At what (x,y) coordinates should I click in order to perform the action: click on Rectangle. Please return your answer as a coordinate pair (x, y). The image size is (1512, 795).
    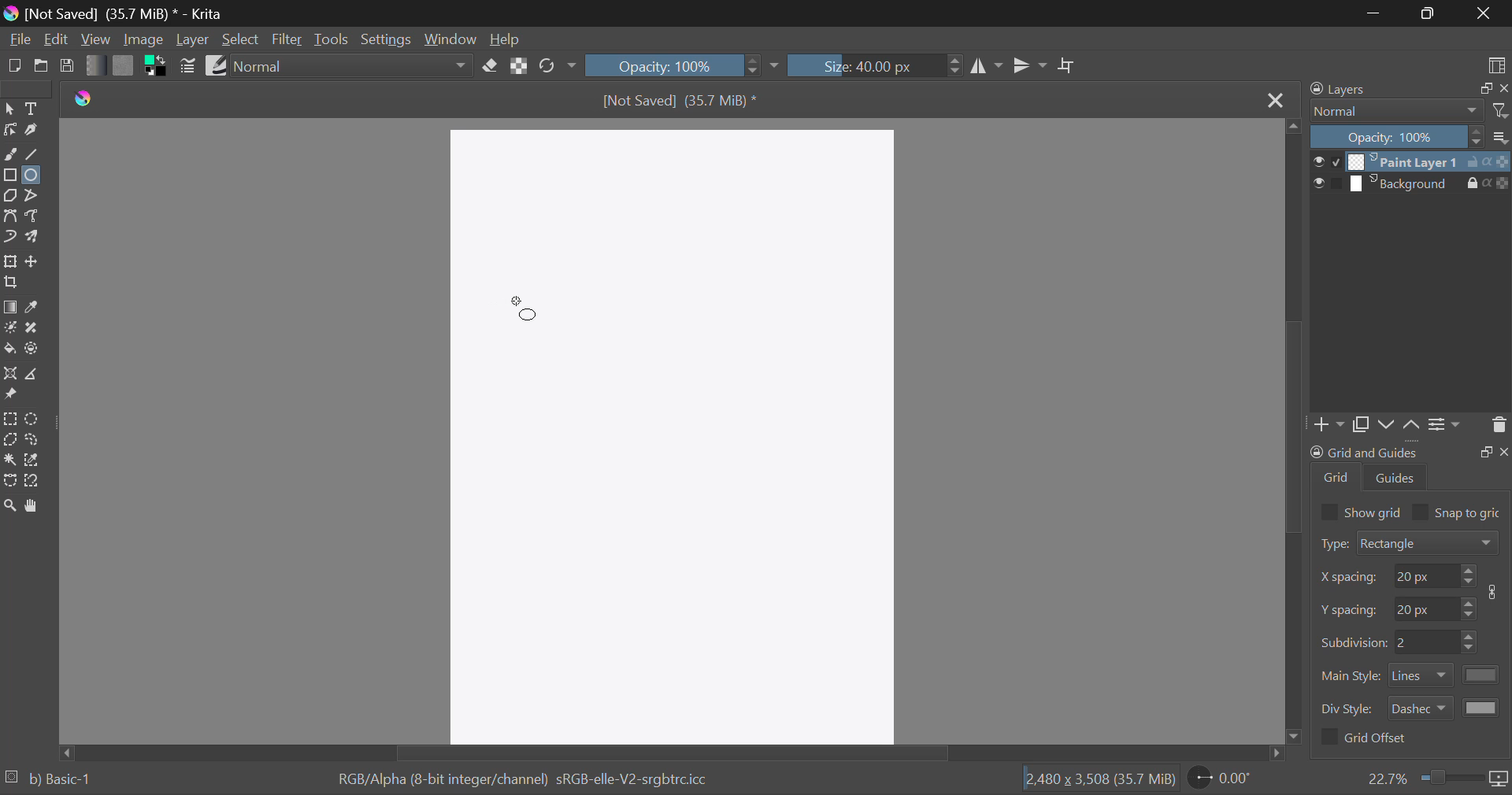
    Looking at the image, I should click on (11, 174).